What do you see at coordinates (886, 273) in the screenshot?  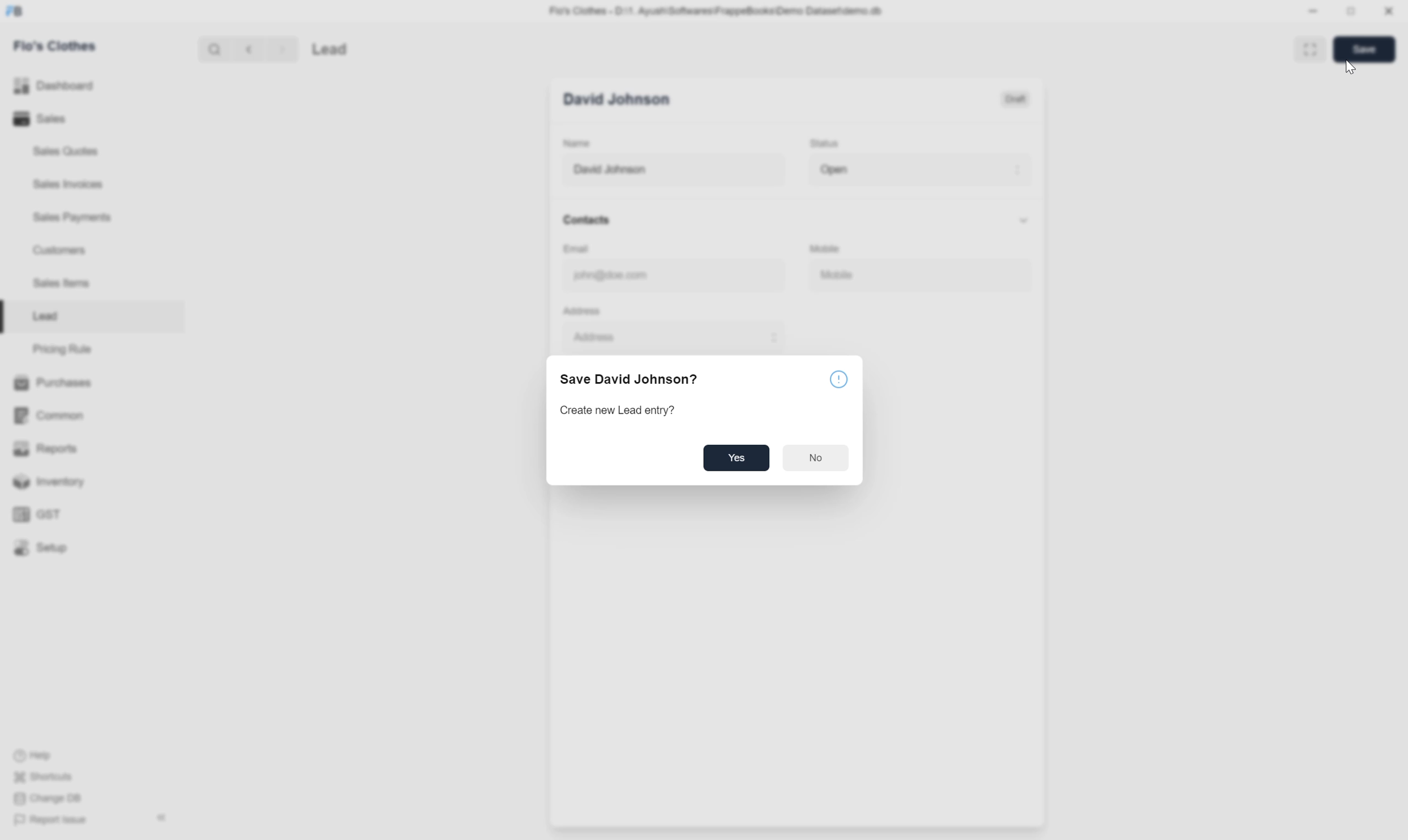 I see `Mobile` at bounding box center [886, 273].